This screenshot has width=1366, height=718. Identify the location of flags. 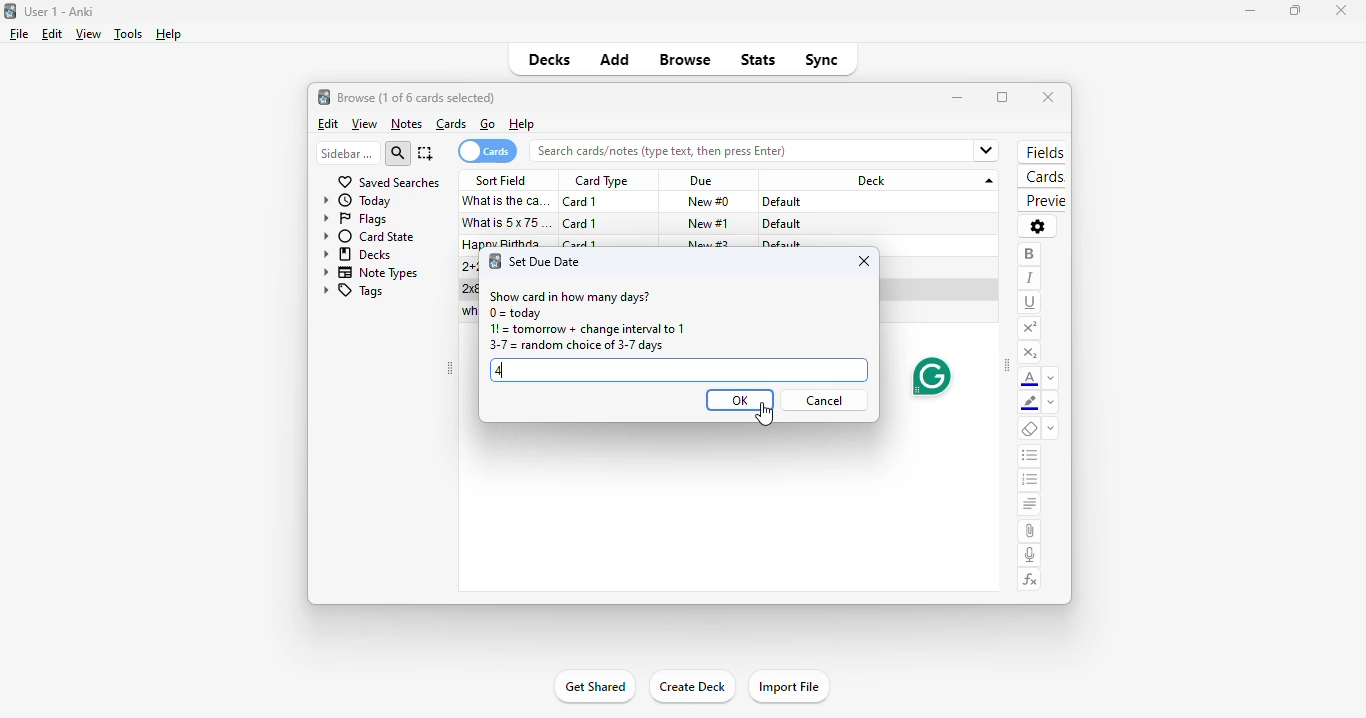
(355, 220).